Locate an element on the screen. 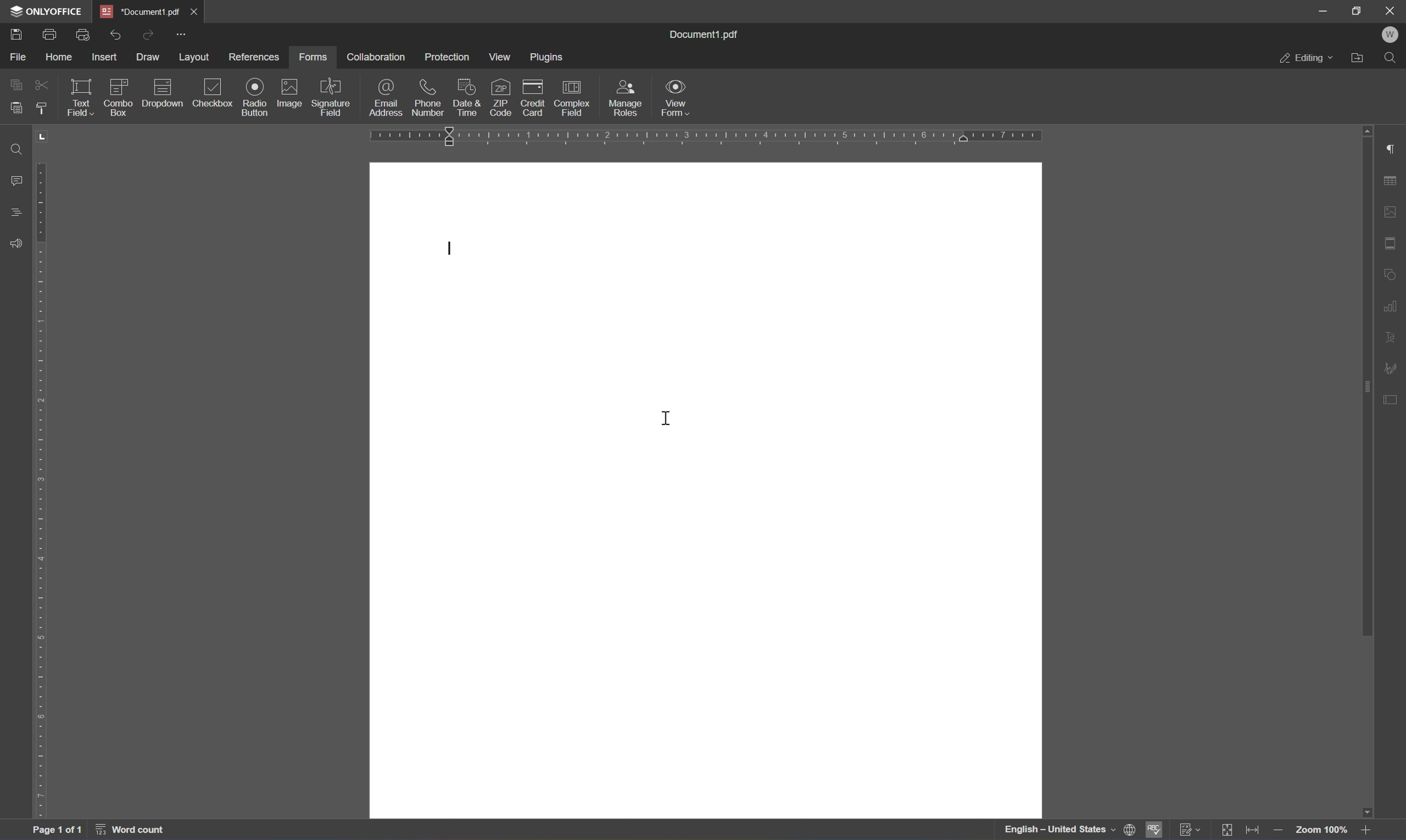 The height and width of the screenshot is (840, 1406). cut is located at coordinates (41, 84).